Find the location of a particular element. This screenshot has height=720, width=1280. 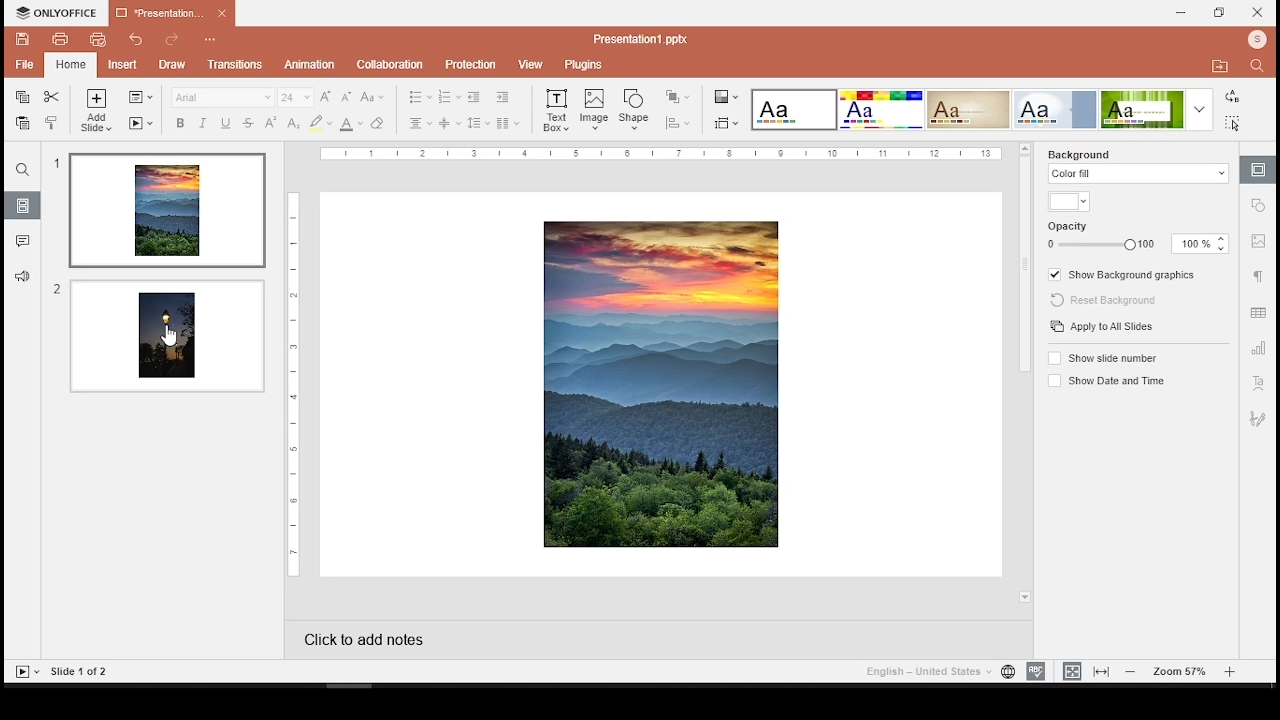

click to add notes is located at coordinates (384, 639).